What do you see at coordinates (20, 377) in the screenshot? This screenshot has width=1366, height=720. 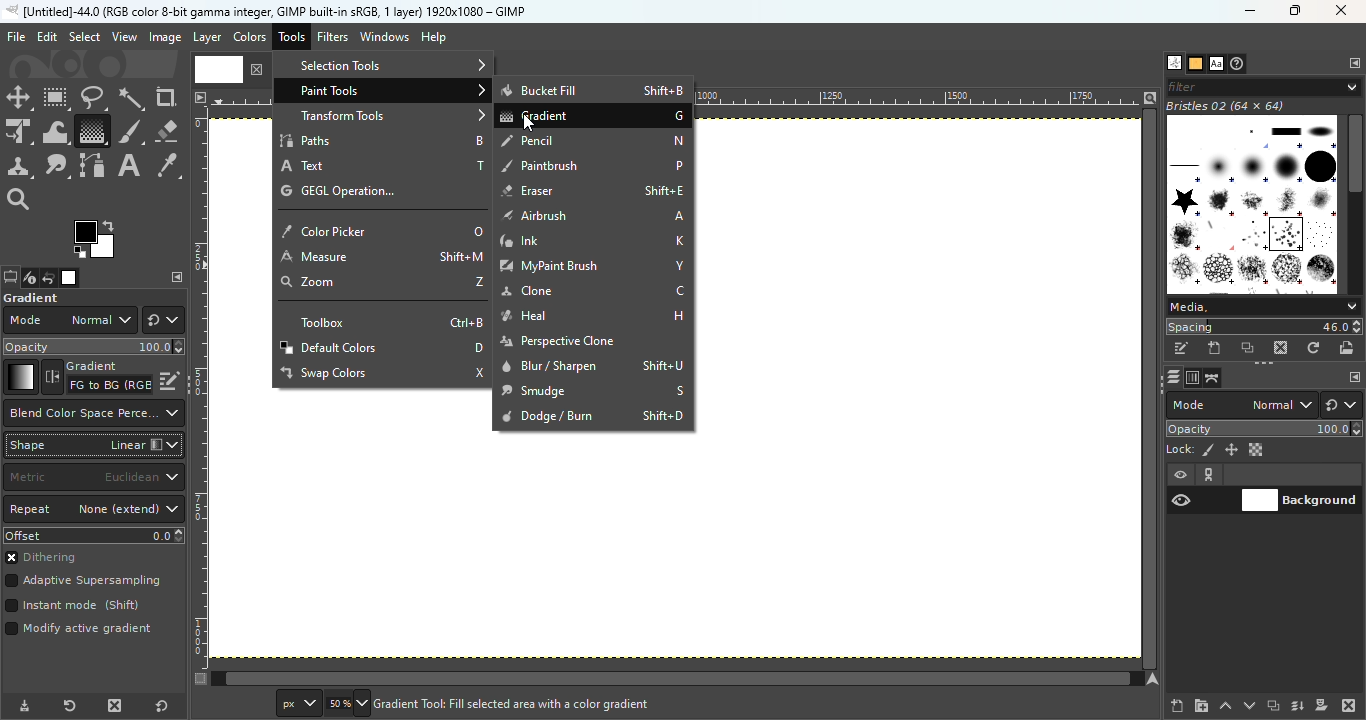 I see `Gradient` at bounding box center [20, 377].